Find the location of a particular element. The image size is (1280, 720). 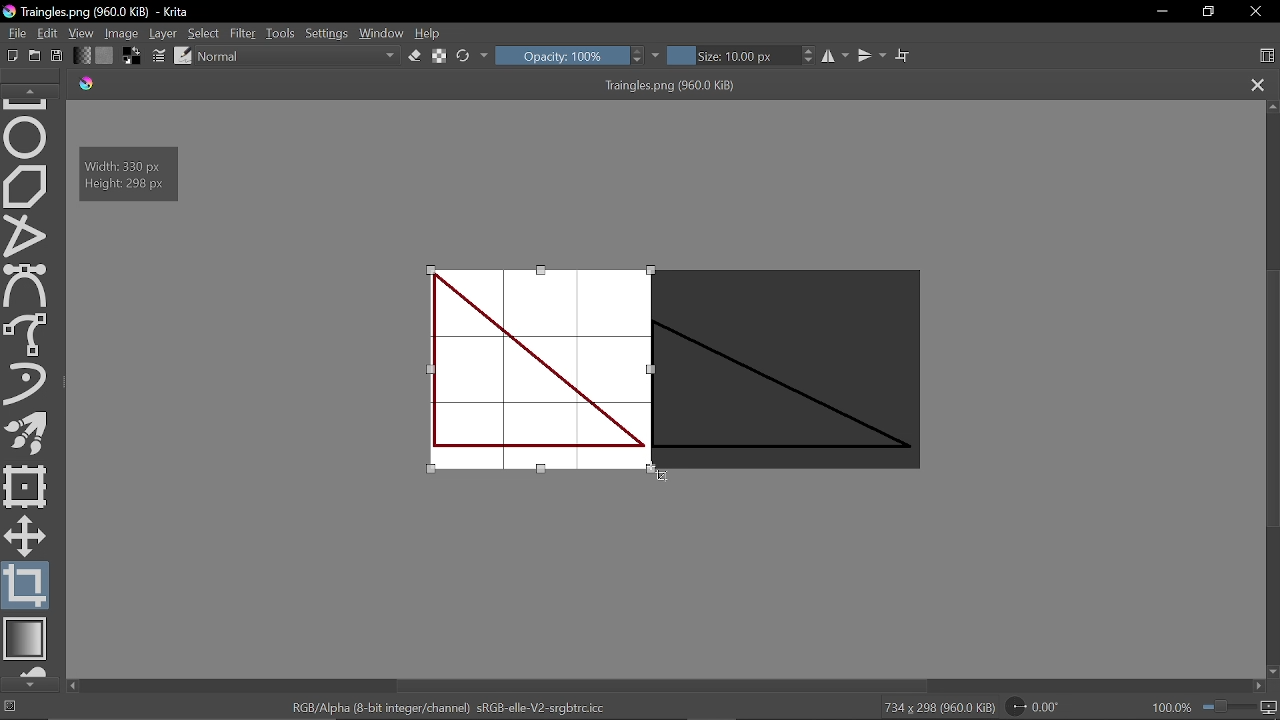

Polygon tool is located at coordinates (27, 187).